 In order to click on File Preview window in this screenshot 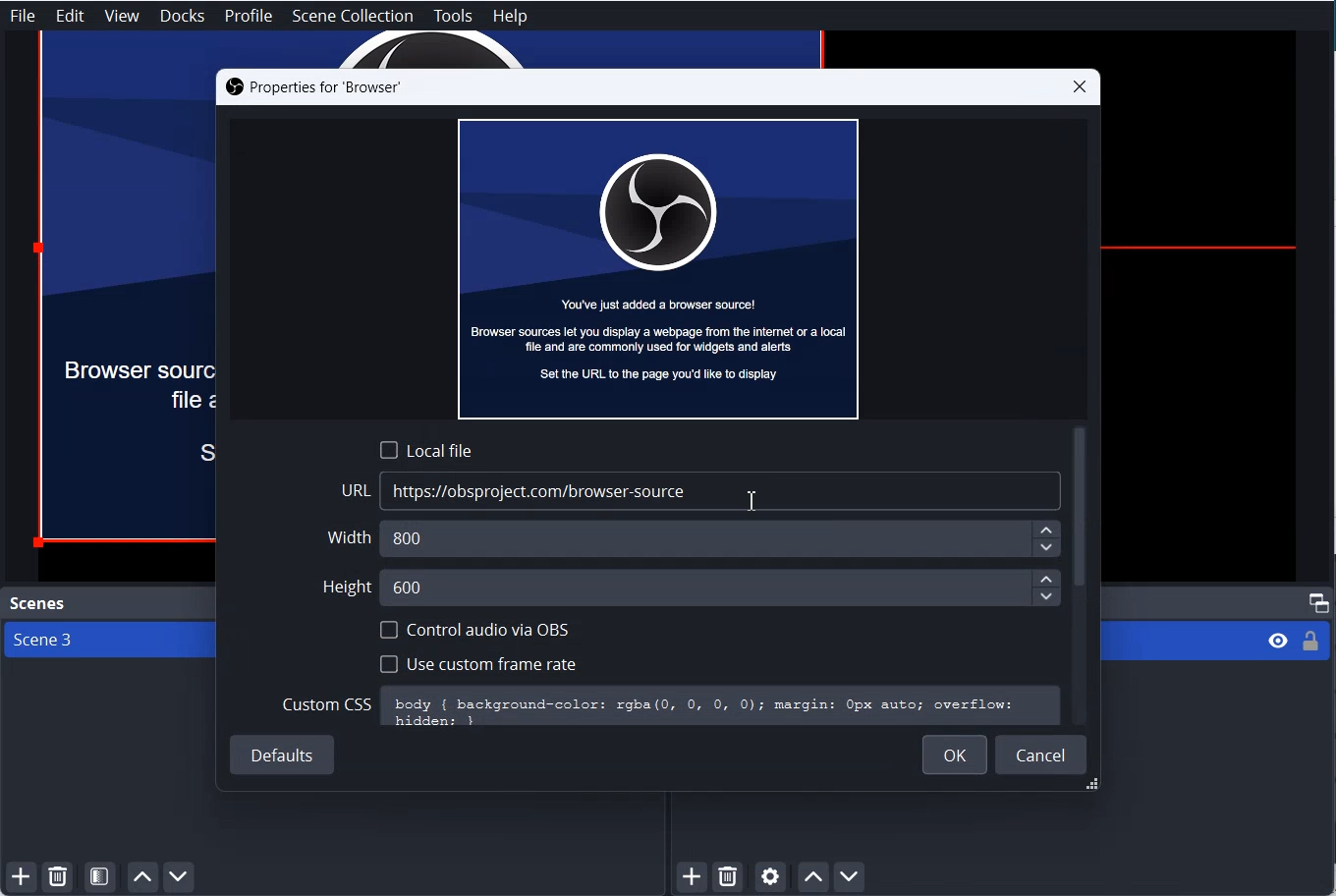, I will do `click(658, 267)`.